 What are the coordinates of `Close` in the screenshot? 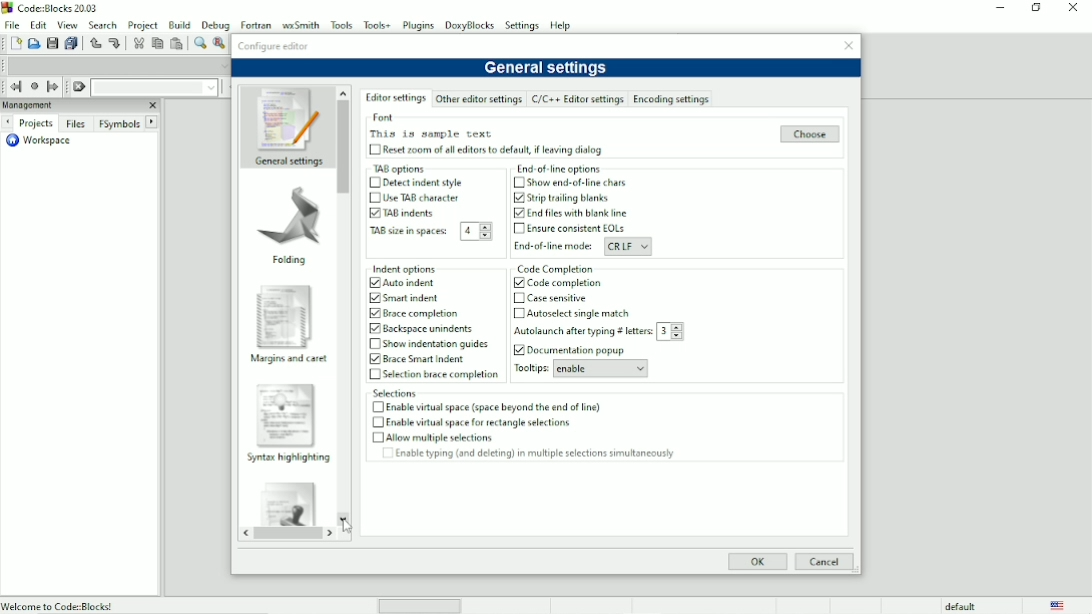 It's located at (152, 105).